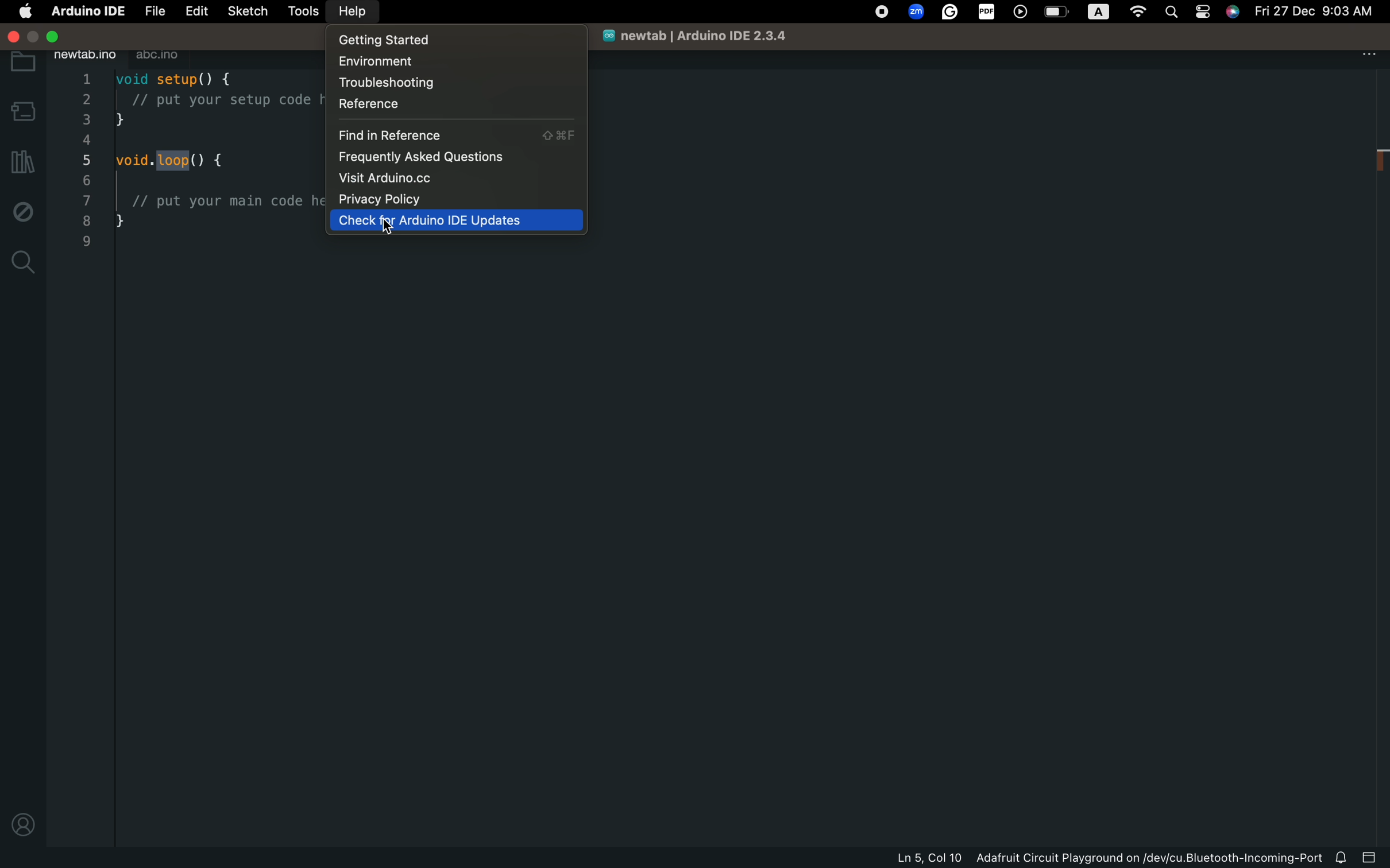 This screenshot has width=1390, height=868. Describe the element at coordinates (1205, 14) in the screenshot. I see `Page` at that location.